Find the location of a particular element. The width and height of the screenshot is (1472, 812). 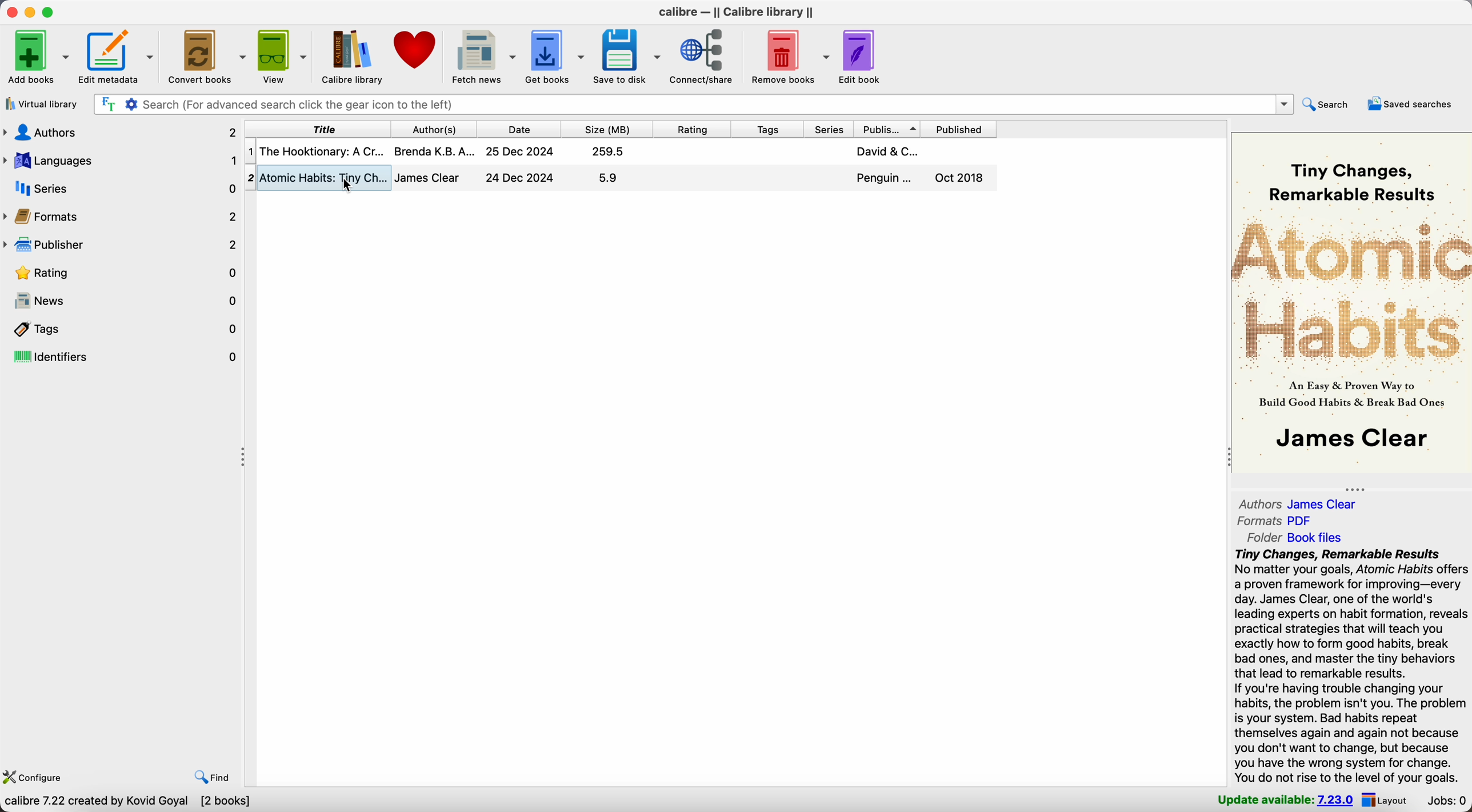

saved searches is located at coordinates (1411, 105).